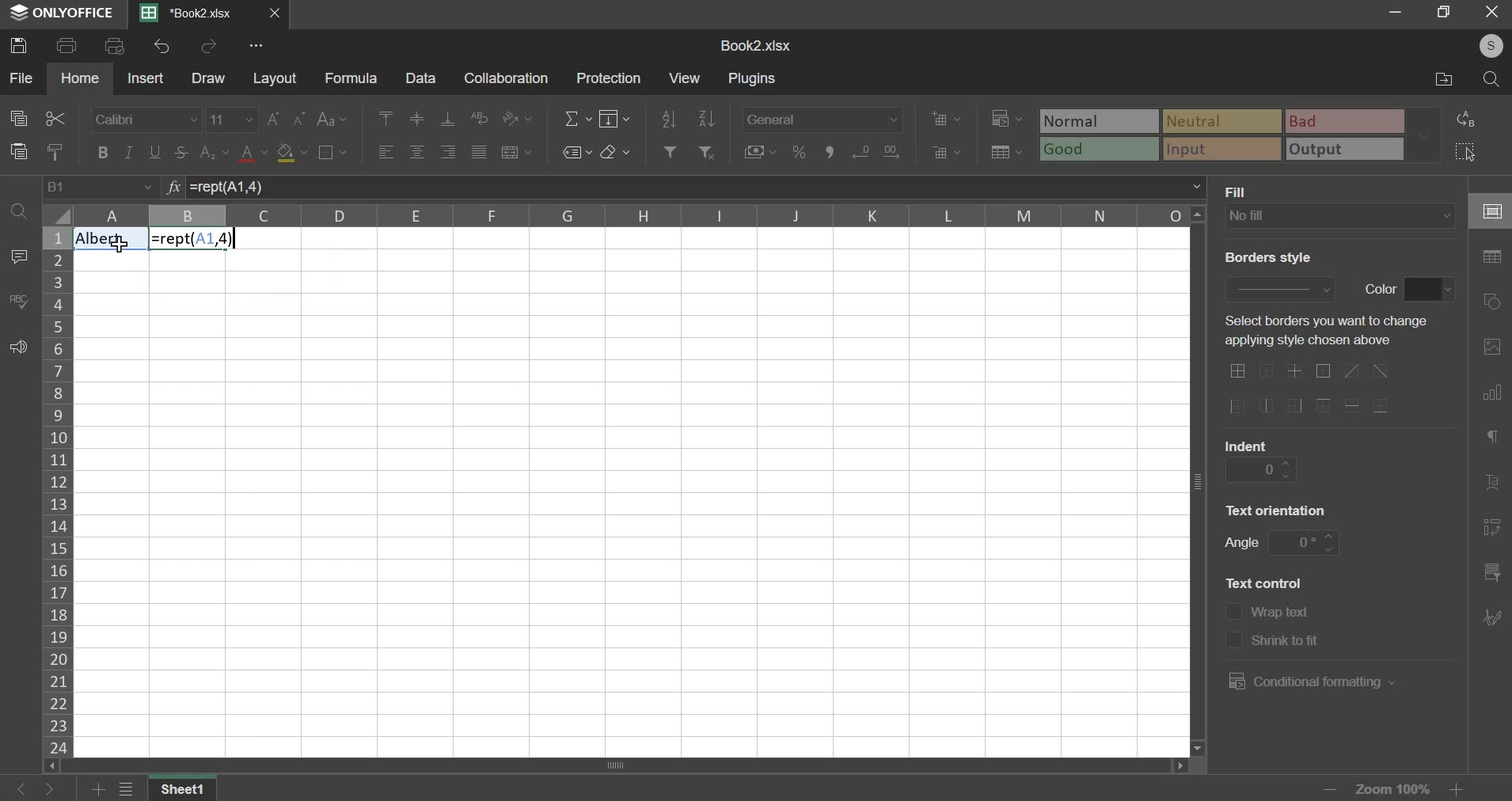  Describe the element at coordinates (1381, 291) in the screenshot. I see `text` at that location.